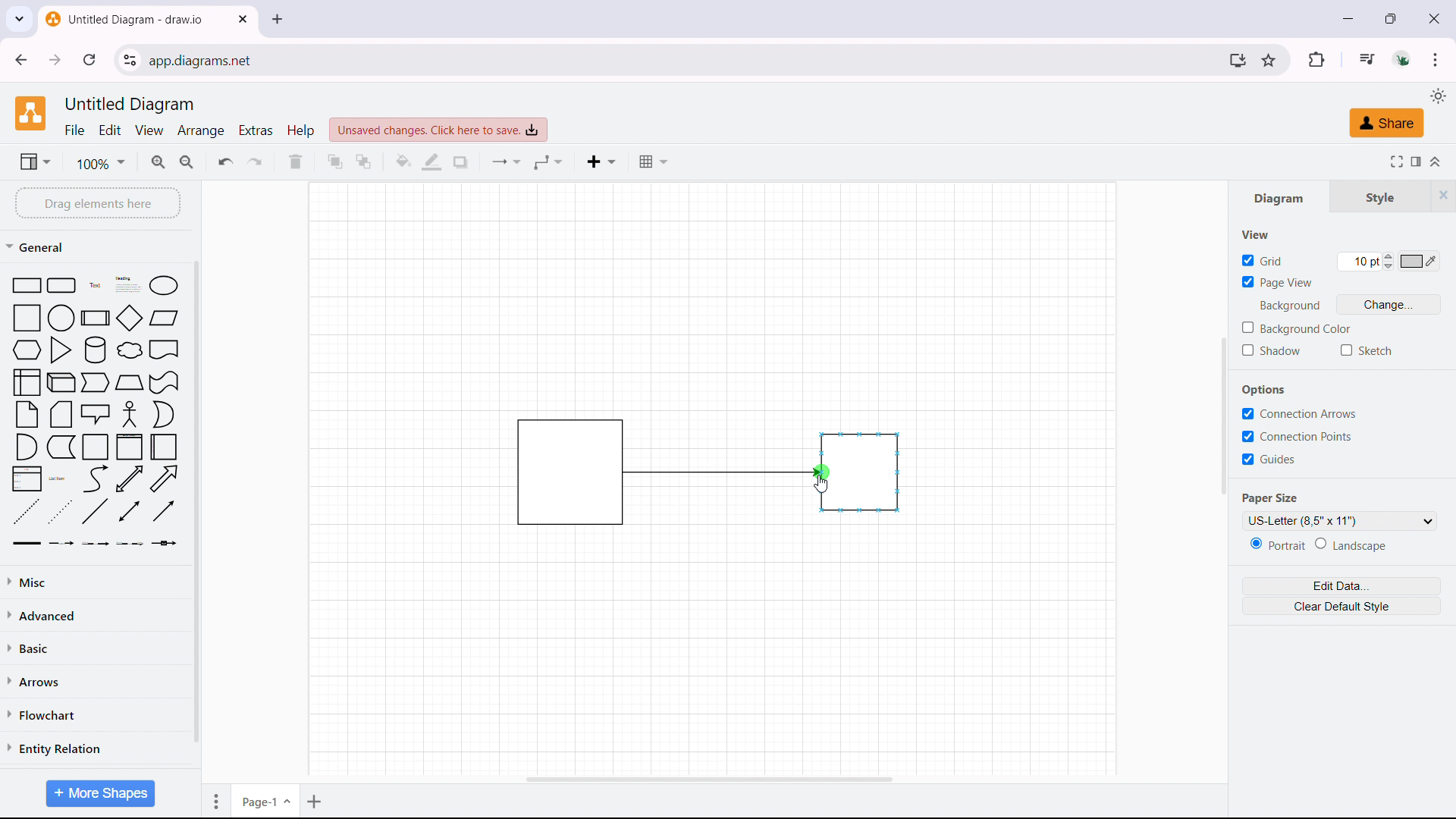  I want to click on hide, so click(1442, 194).